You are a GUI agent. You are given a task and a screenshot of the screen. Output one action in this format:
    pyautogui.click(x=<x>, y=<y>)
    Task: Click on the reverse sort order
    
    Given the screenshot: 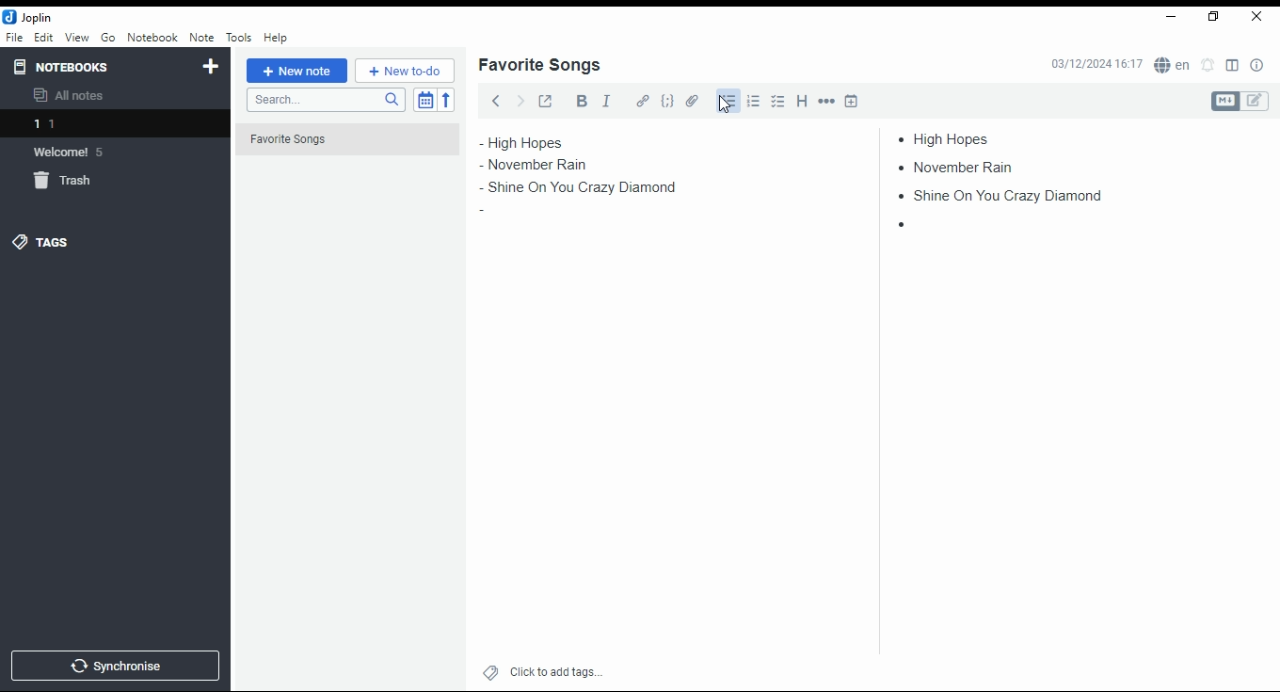 What is the action you would take?
    pyautogui.click(x=446, y=100)
    